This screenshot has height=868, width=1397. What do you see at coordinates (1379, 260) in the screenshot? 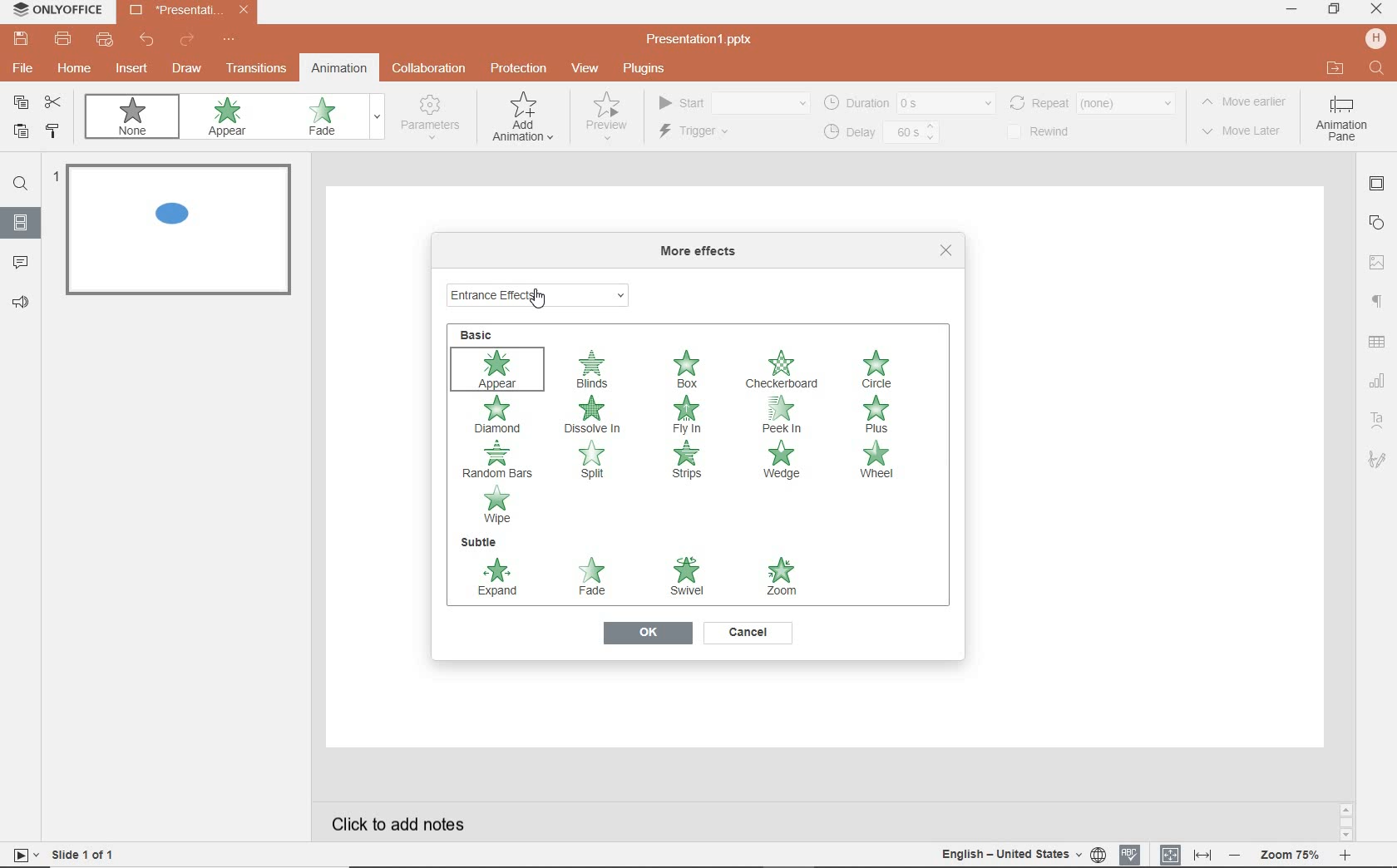
I see `image settings` at bounding box center [1379, 260].